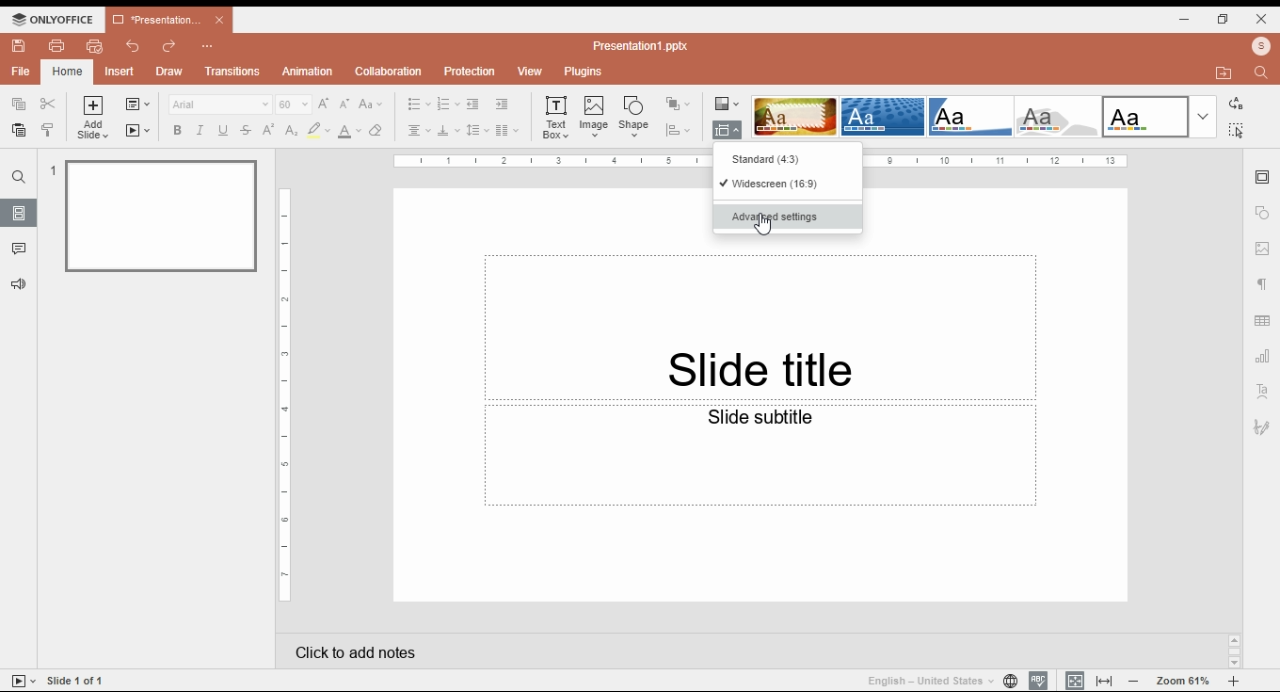 The image size is (1280, 692). I want to click on redo, so click(170, 47).